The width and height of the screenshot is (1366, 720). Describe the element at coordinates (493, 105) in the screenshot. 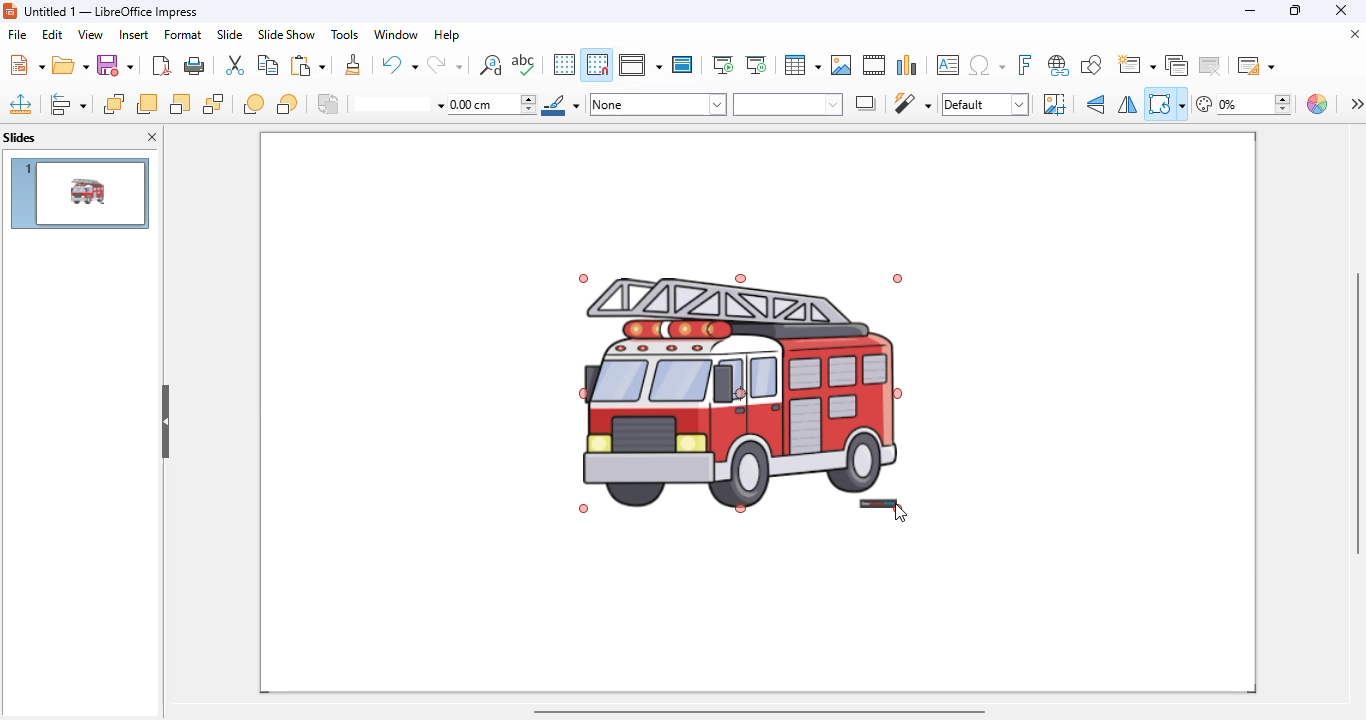

I see `line thickness` at that location.